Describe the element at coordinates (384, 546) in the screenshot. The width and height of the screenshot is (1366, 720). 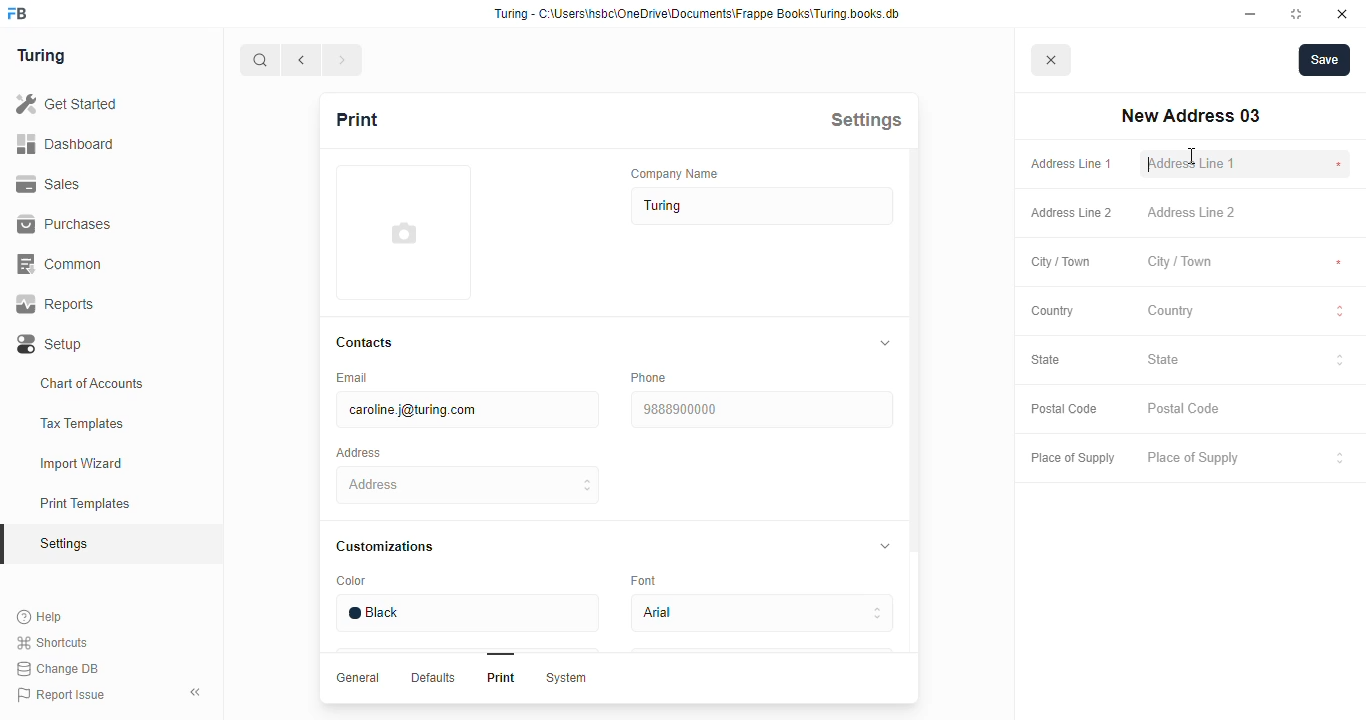
I see `customizations` at that location.